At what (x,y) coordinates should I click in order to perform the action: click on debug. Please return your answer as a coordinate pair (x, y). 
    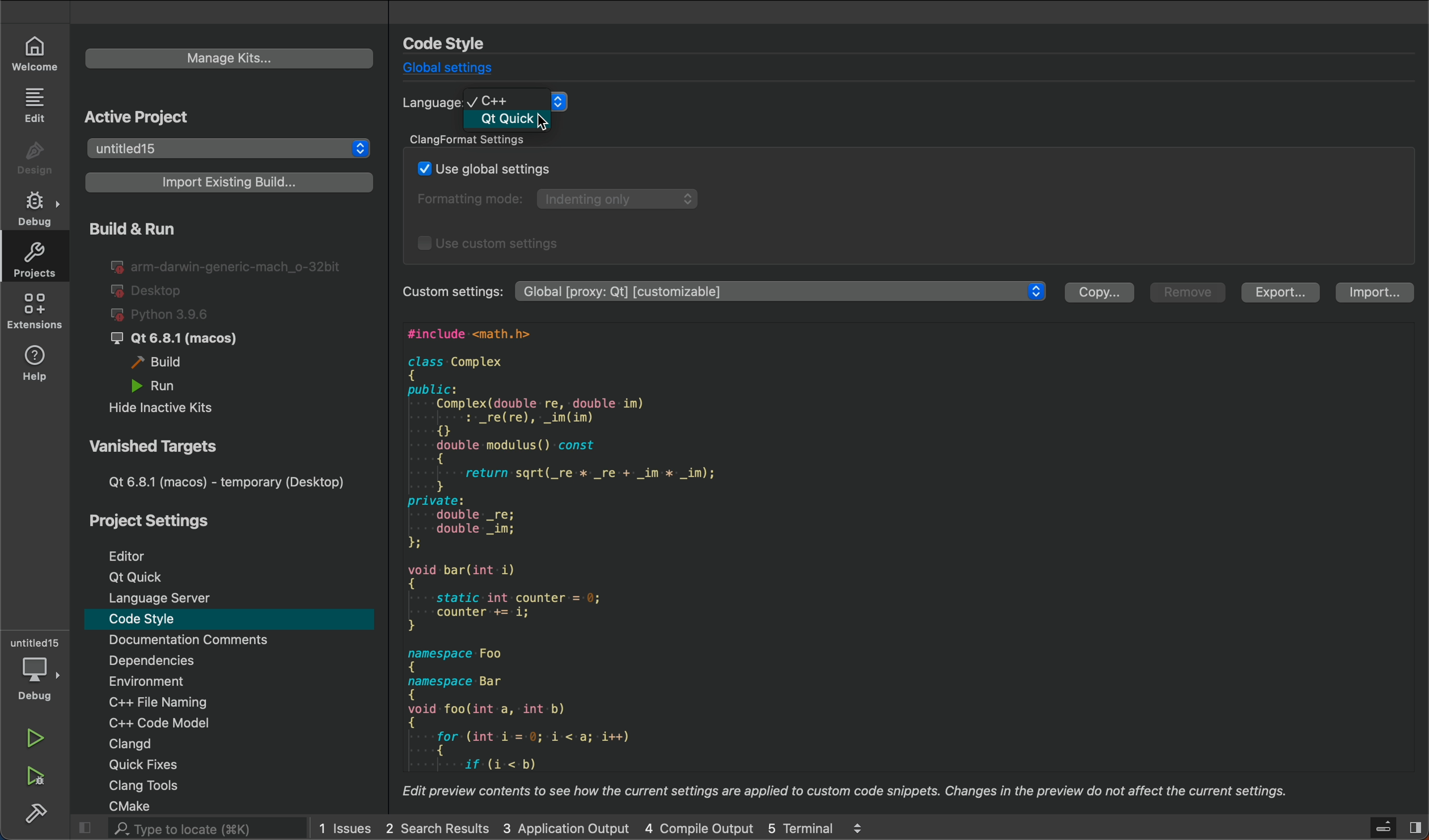
    Looking at the image, I should click on (34, 207).